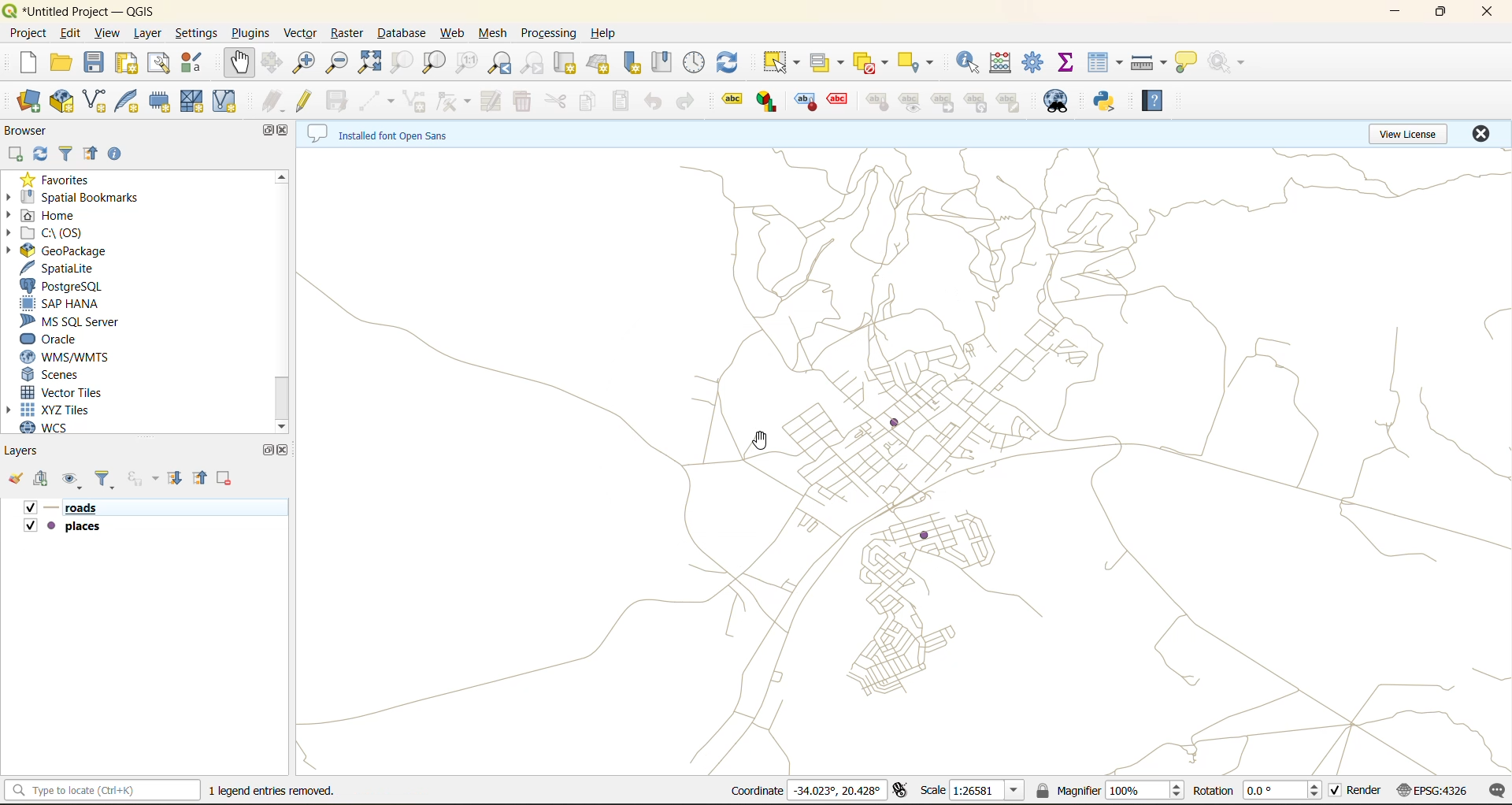 This screenshot has width=1512, height=805. I want to click on style manager, so click(190, 61).